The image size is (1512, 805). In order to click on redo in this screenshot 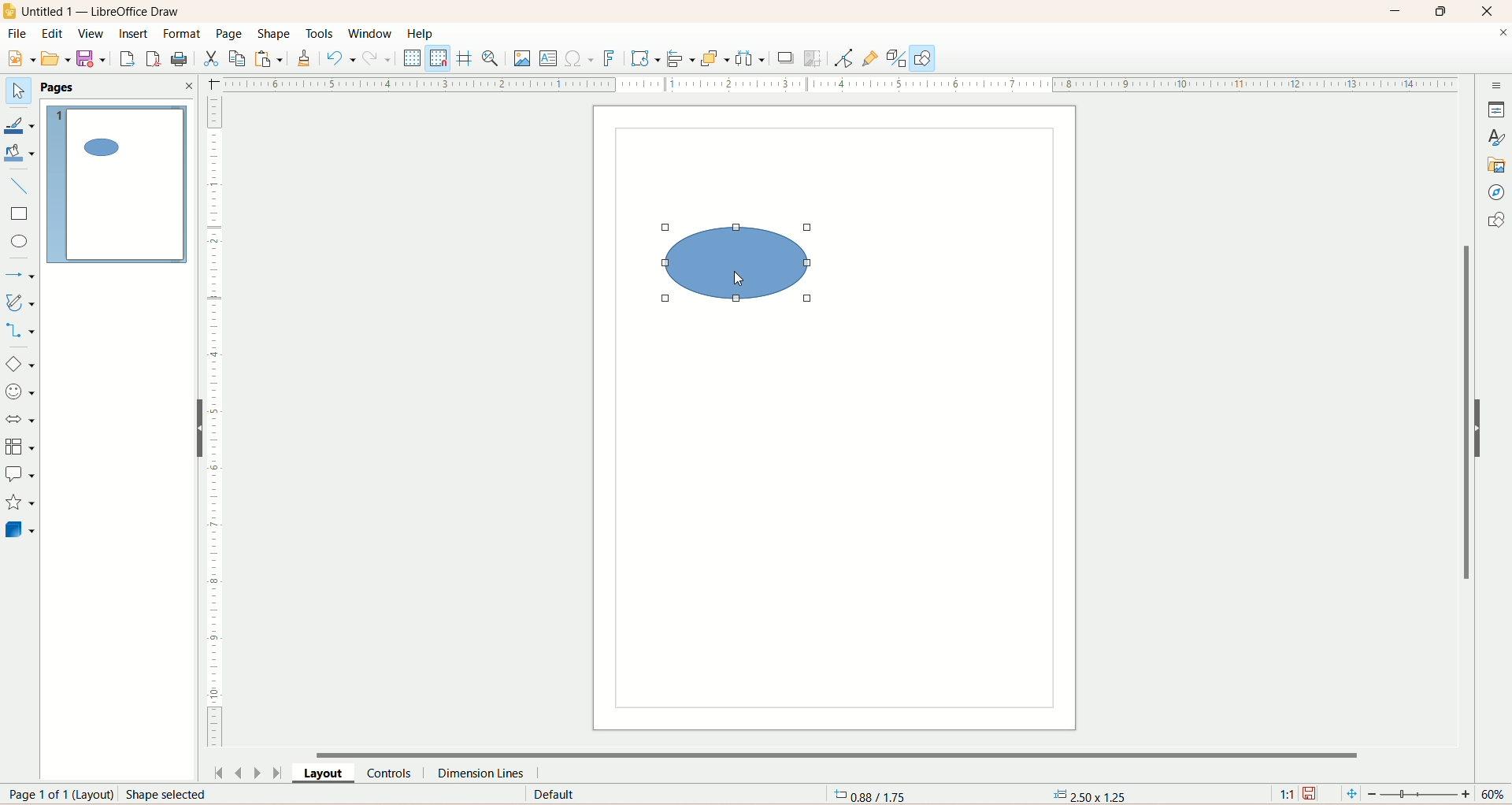, I will do `click(380, 60)`.